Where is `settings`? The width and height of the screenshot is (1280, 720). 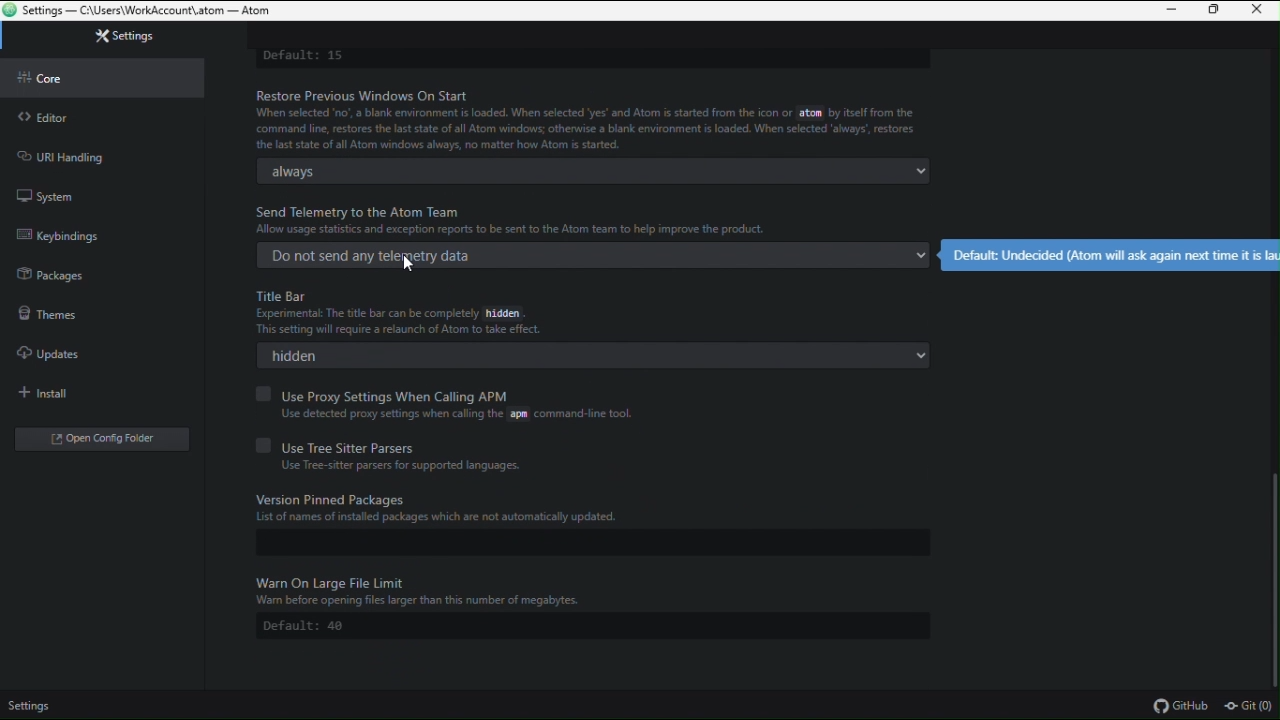 settings is located at coordinates (104, 41).